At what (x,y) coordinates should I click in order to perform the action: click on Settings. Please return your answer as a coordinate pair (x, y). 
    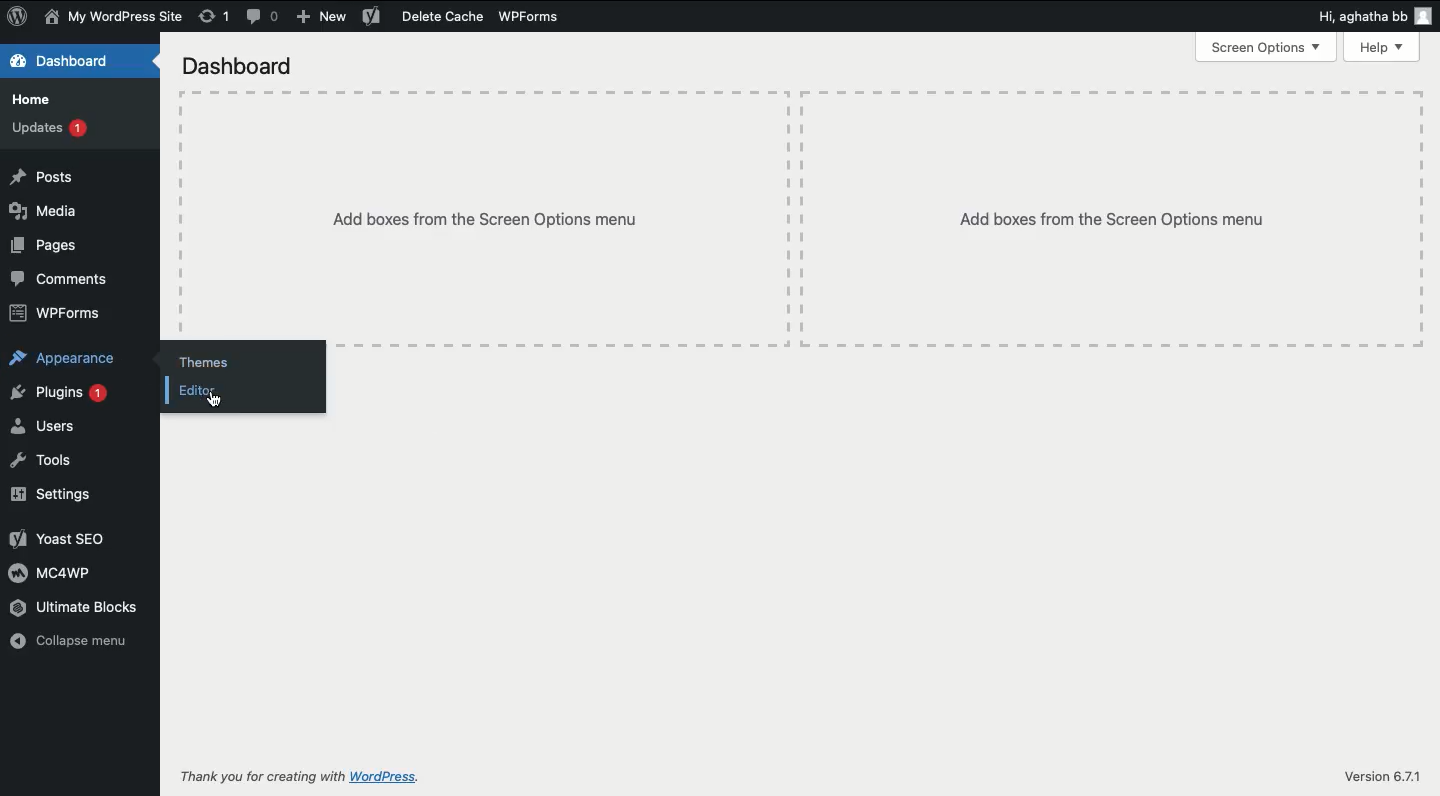
    Looking at the image, I should click on (56, 495).